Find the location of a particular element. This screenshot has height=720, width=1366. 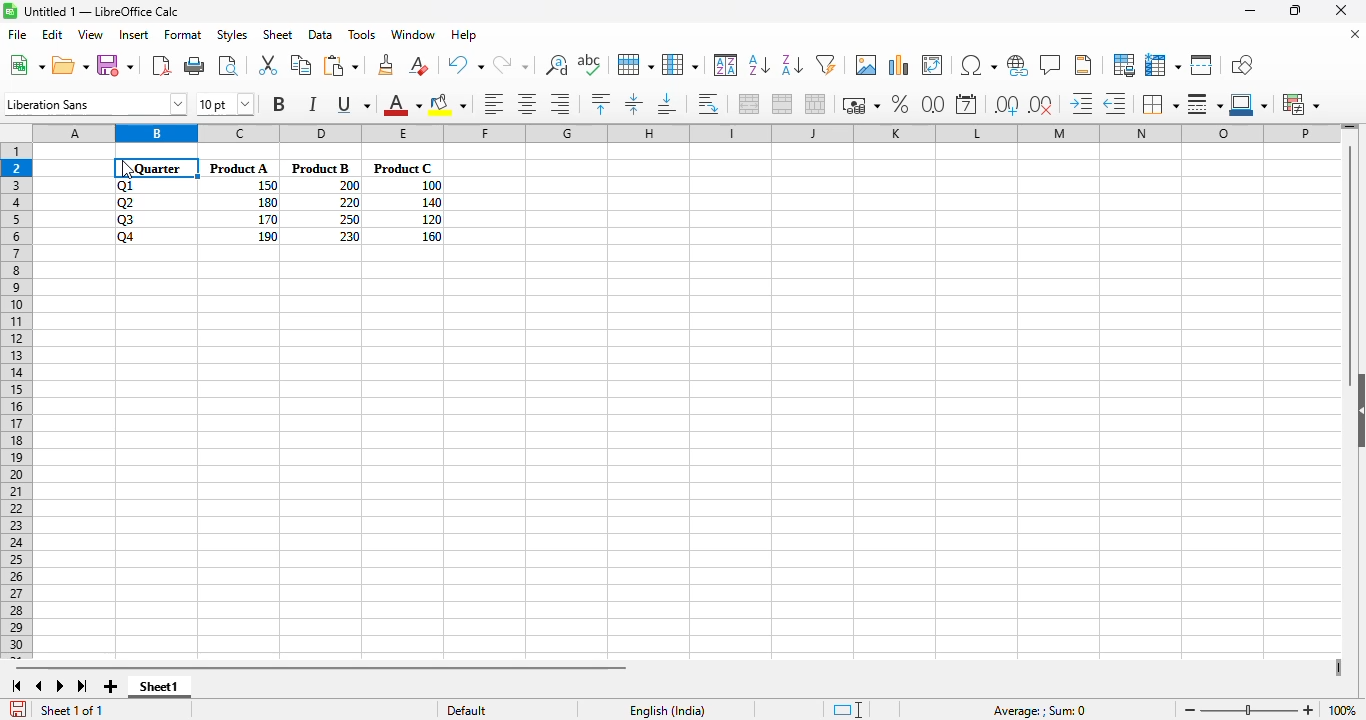

insert special characters is located at coordinates (978, 65).